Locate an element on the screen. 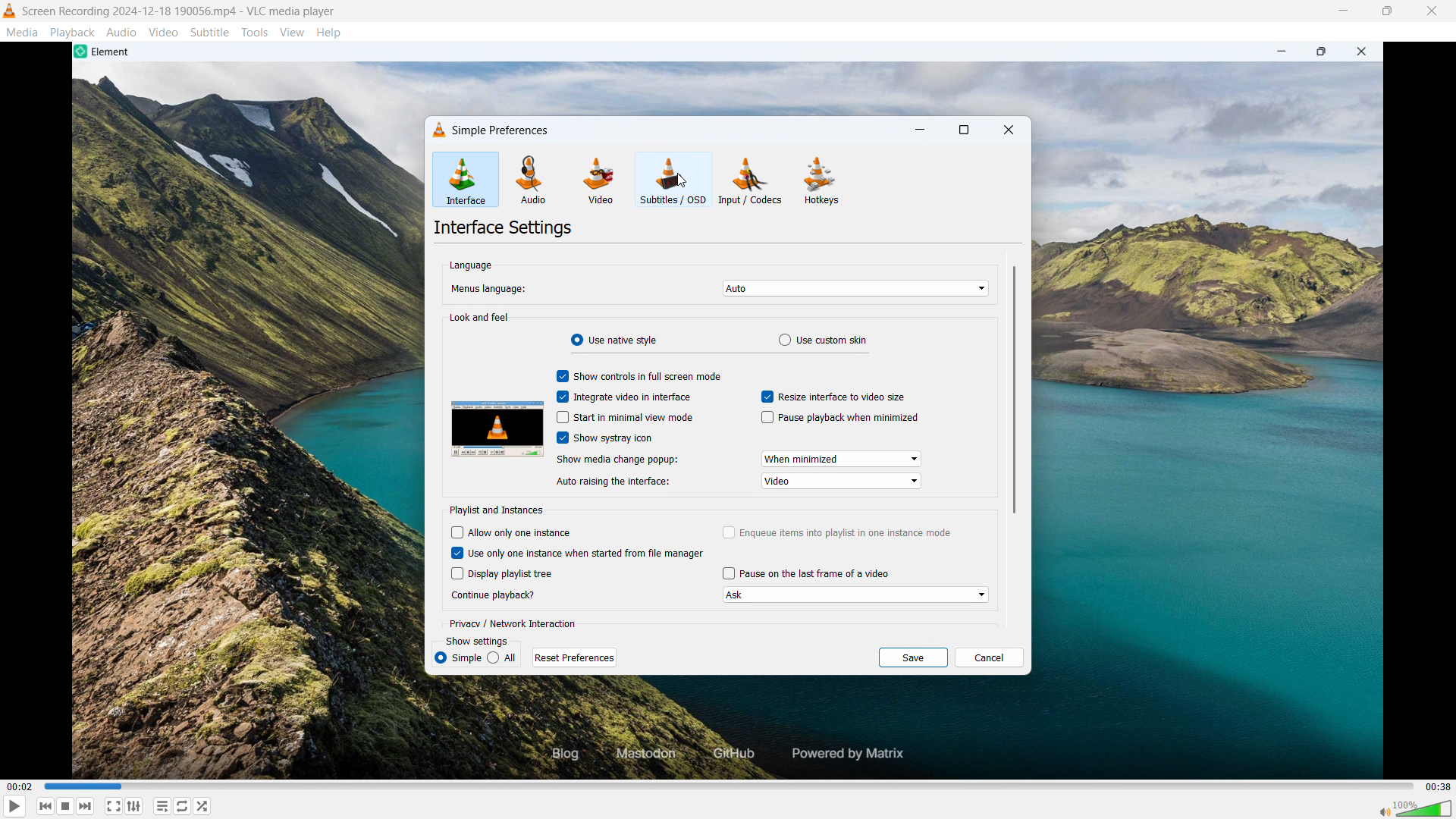  toggle between loop all, loop one & no loop is located at coordinates (182, 806).